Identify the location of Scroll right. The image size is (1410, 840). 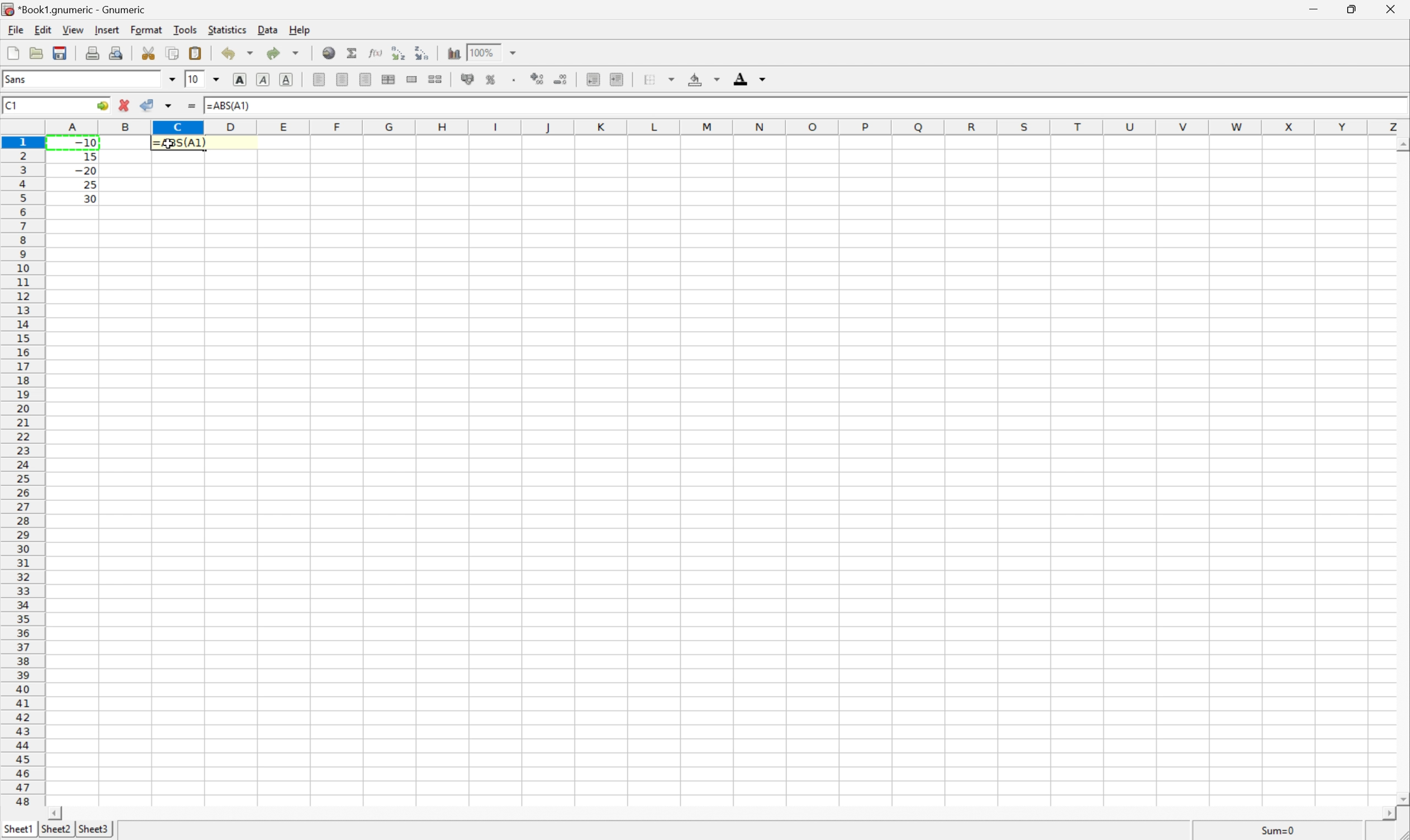
(1383, 814).